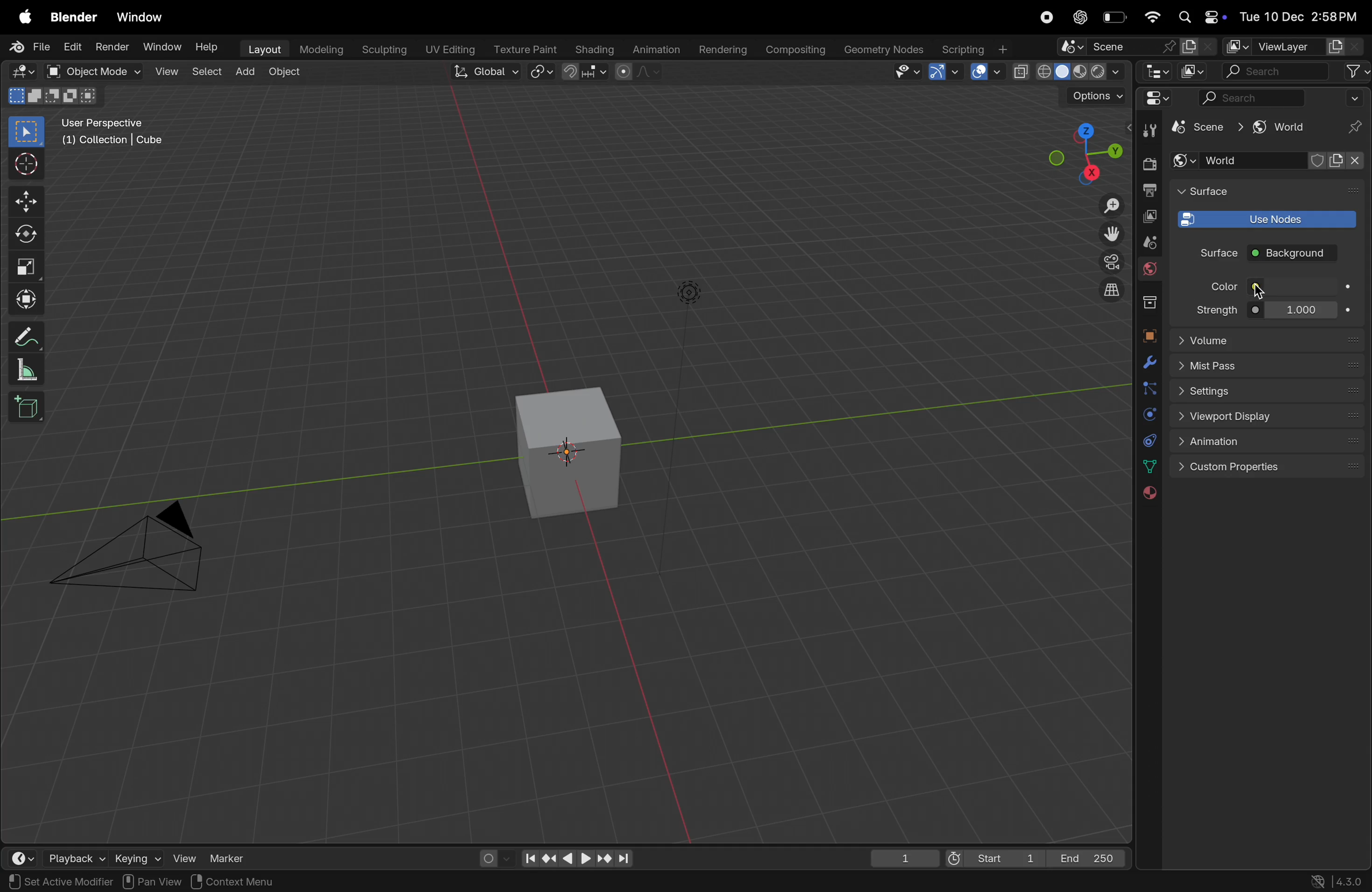  I want to click on Apple widgets, so click(1201, 16).